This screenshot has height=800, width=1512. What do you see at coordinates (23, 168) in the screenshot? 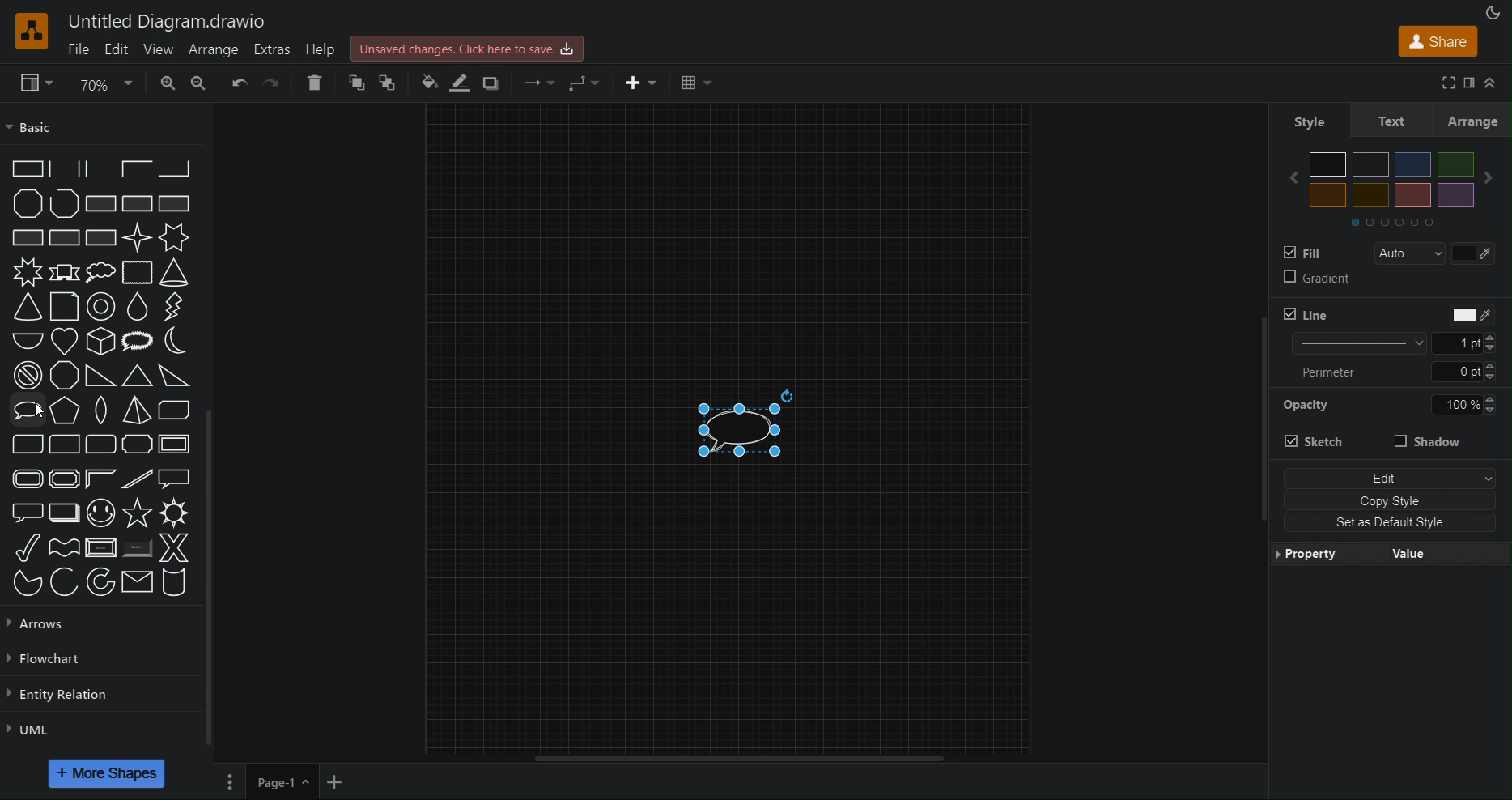
I see `Partial Rectangle` at bounding box center [23, 168].